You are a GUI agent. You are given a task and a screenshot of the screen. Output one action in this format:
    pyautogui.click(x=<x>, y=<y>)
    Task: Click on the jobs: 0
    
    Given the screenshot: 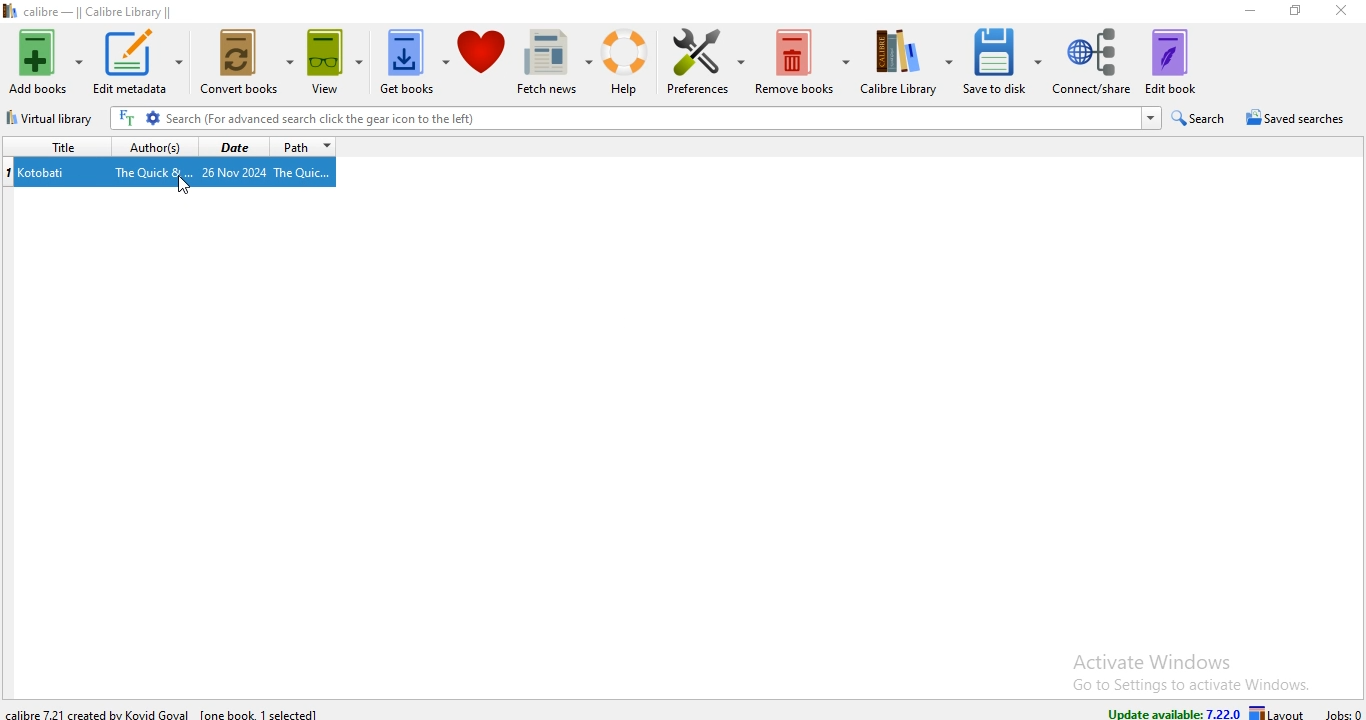 What is the action you would take?
    pyautogui.click(x=1343, y=711)
    